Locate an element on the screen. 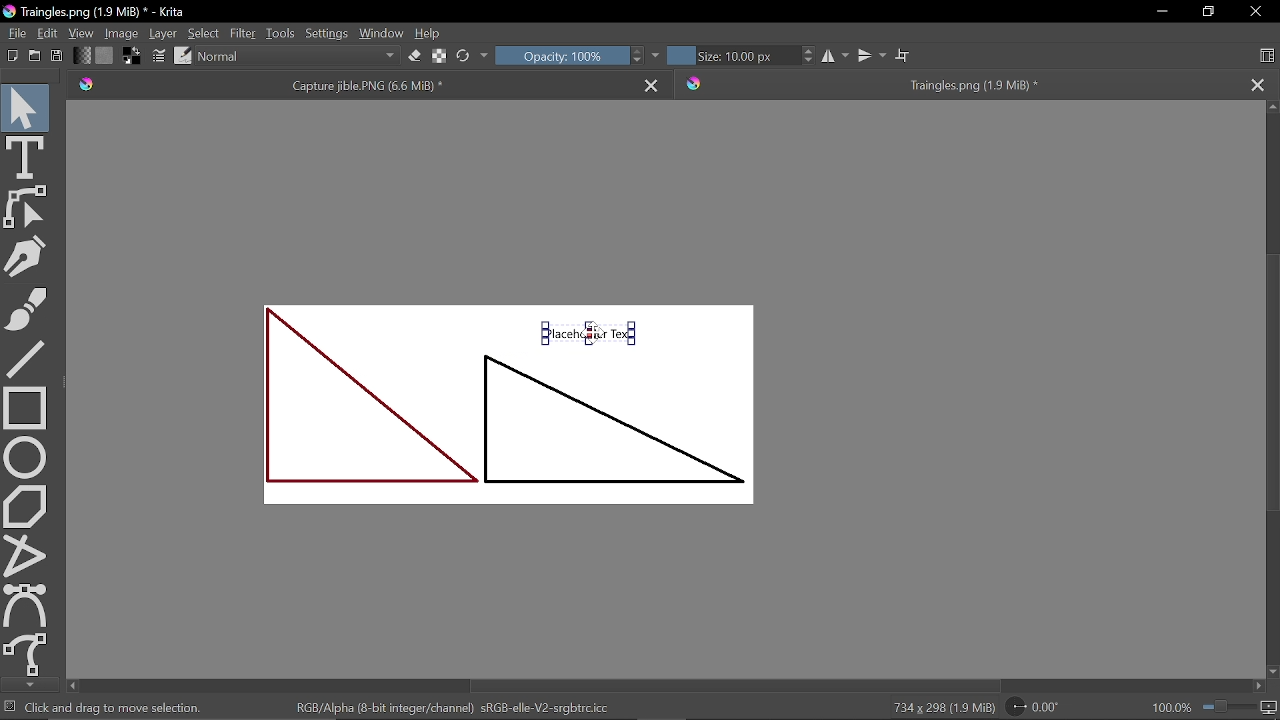  Size 10.00 px is located at coordinates (731, 56).